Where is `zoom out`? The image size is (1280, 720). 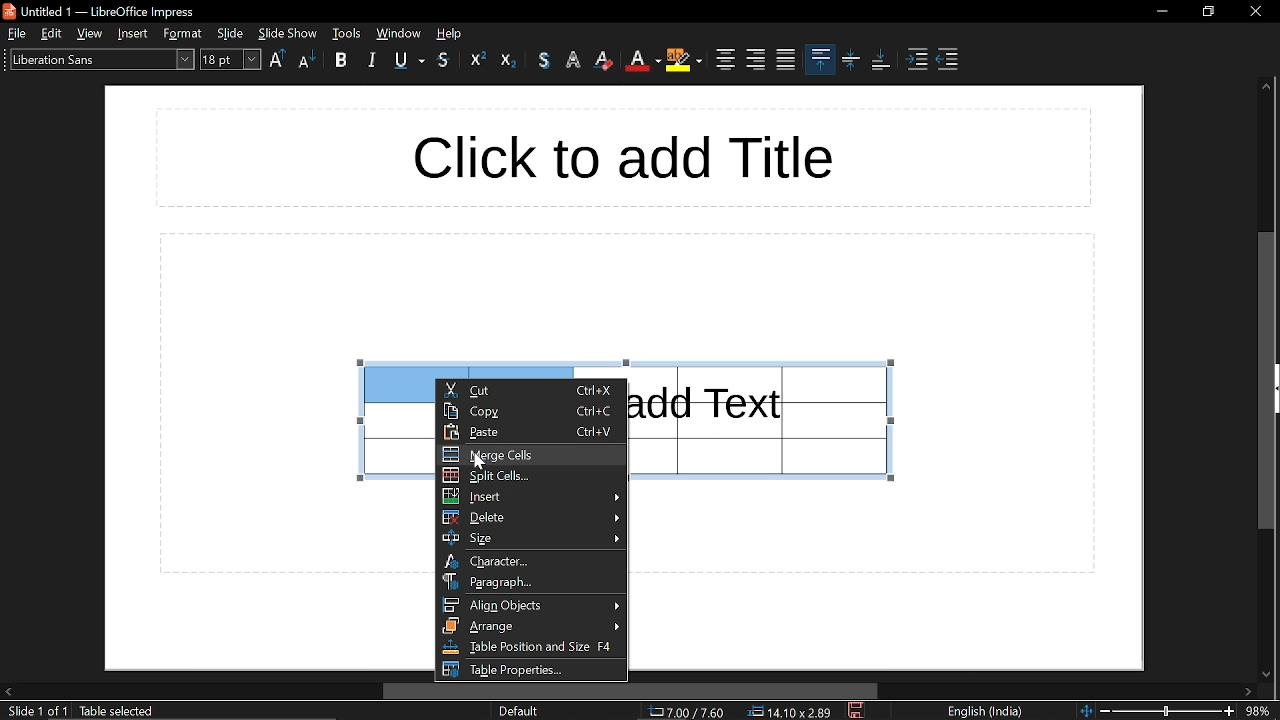 zoom out is located at coordinates (1105, 710).